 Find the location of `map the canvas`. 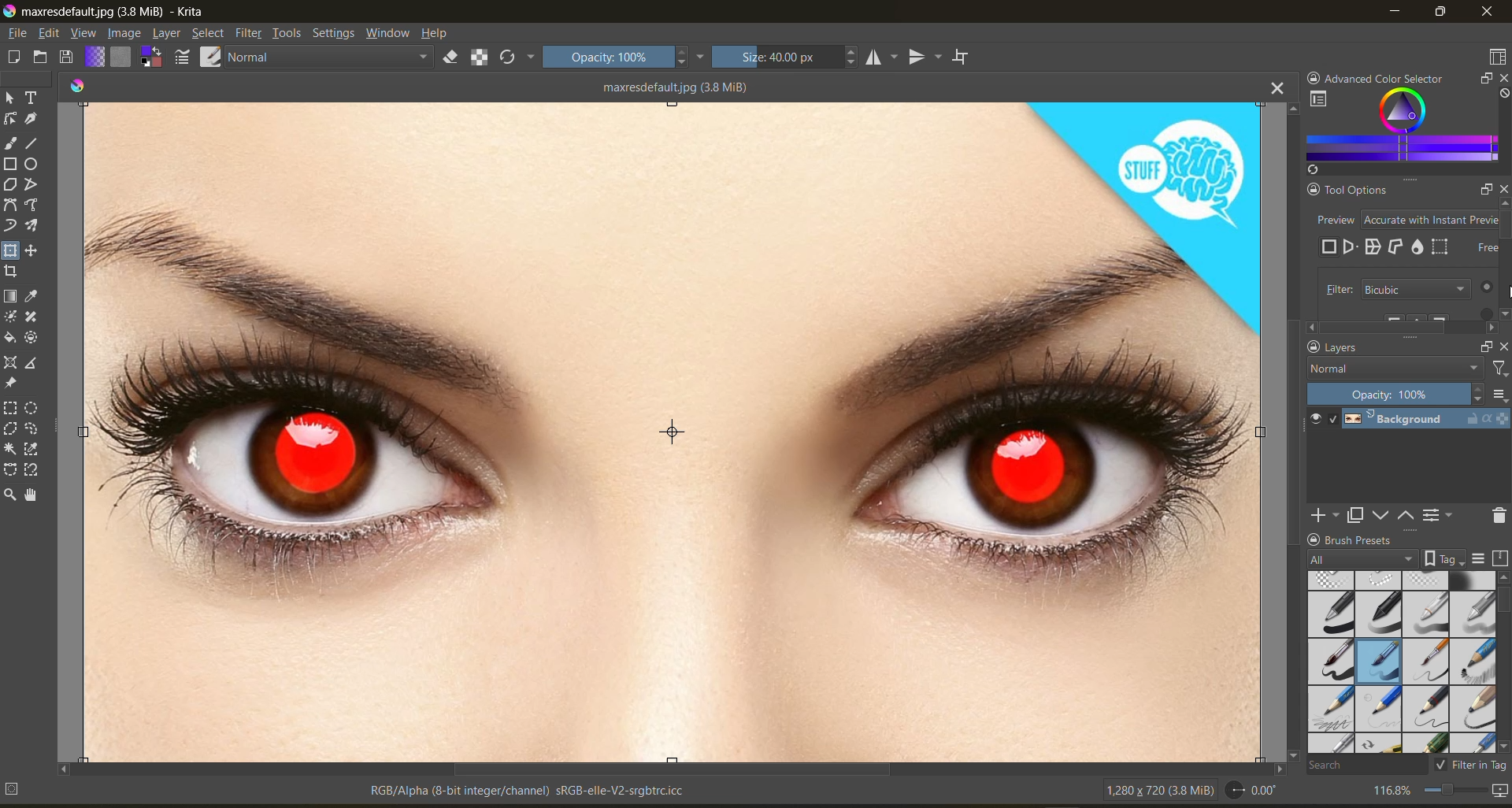

map the canvas is located at coordinates (1498, 790).